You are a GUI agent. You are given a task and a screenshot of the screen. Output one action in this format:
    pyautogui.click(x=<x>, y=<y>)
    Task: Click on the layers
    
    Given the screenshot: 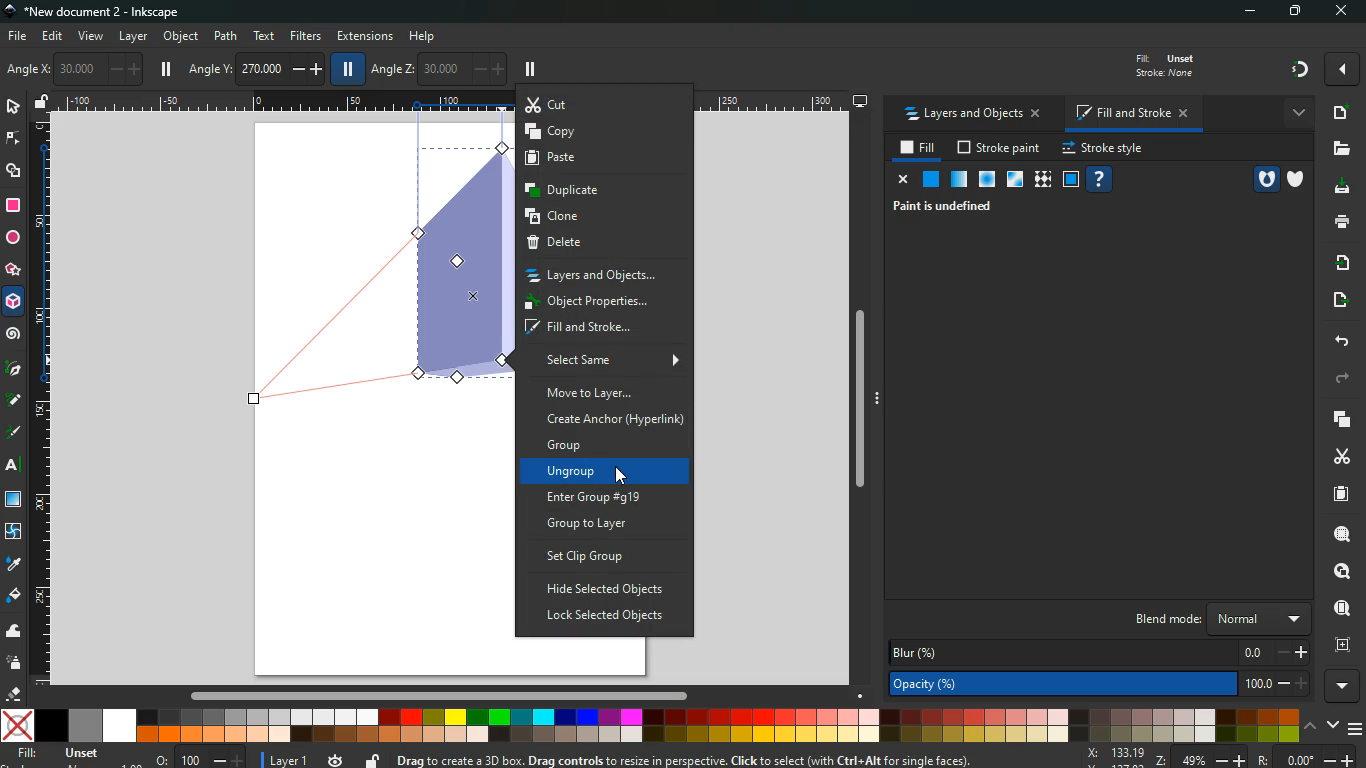 What is the action you would take?
    pyautogui.click(x=1336, y=418)
    